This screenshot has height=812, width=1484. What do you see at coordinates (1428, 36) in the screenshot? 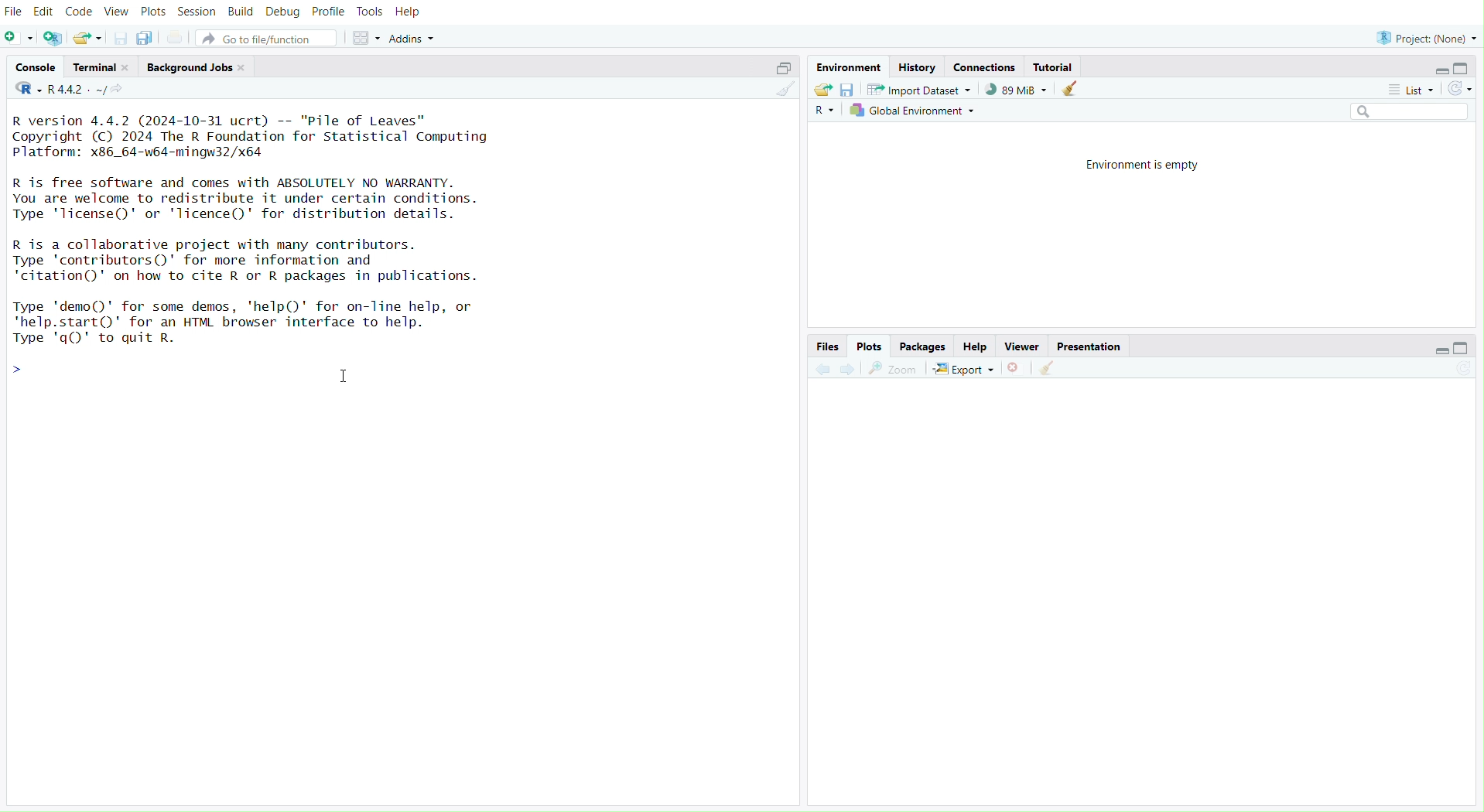
I see `Progress (None)` at bounding box center [1428, 36].